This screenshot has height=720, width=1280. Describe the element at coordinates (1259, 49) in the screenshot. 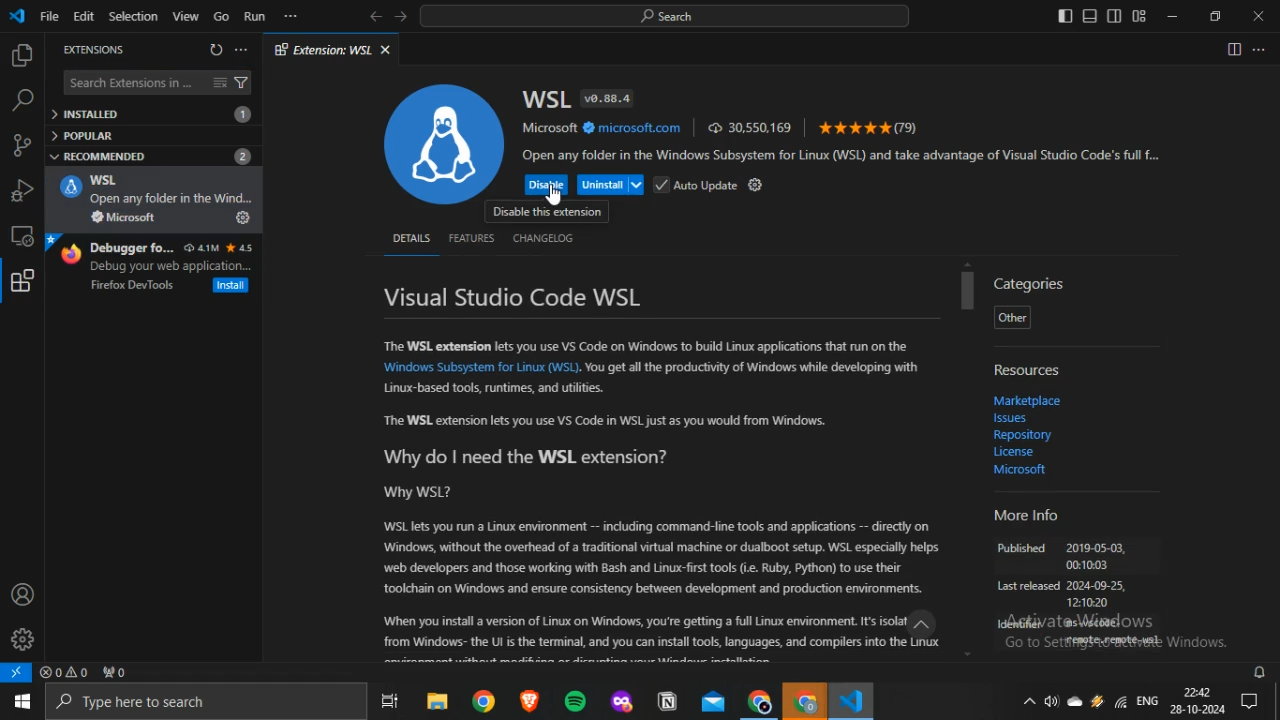

I see `More actions...` at that location.